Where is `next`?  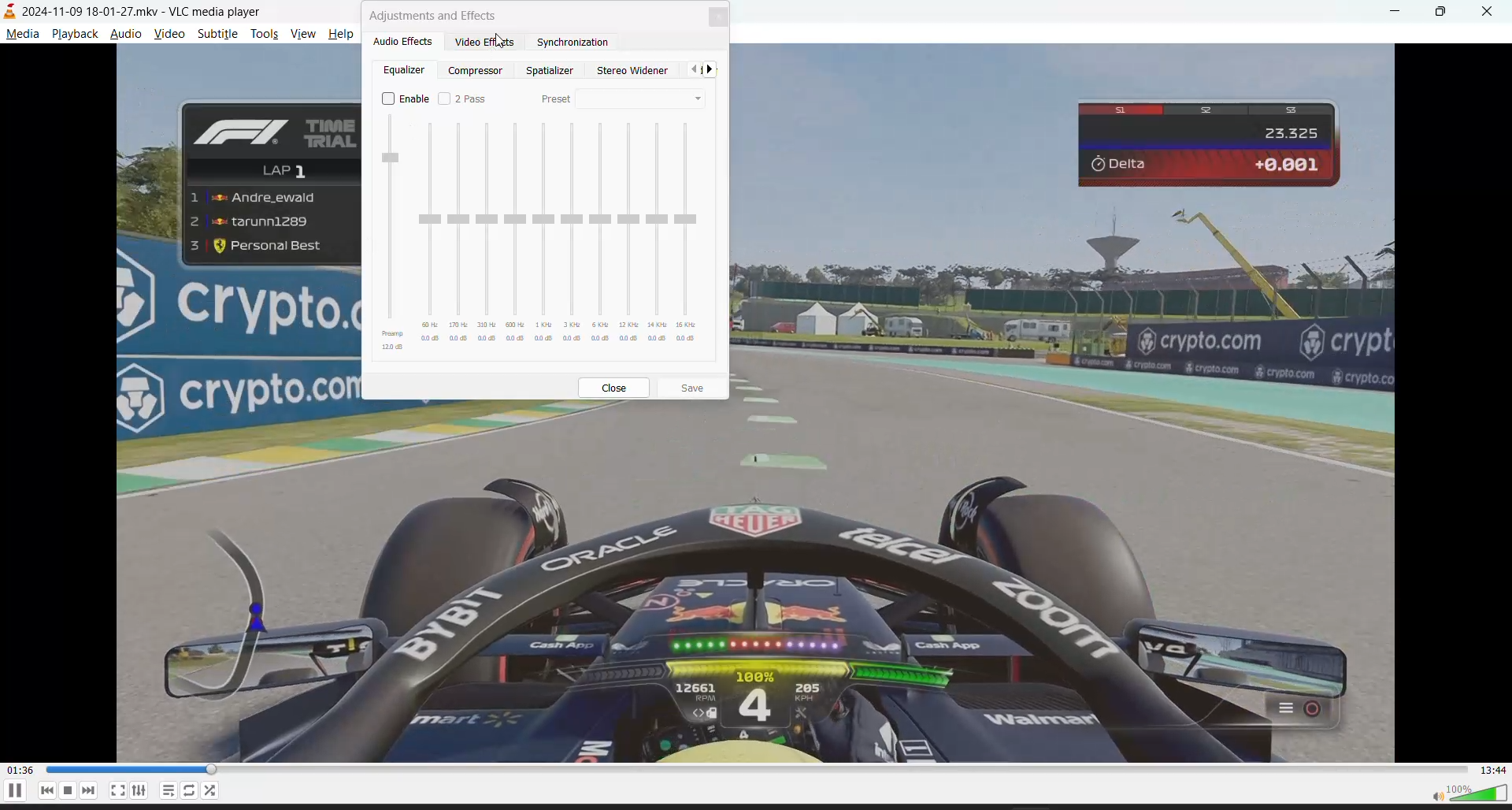 next is located at coordinates (91, 794).